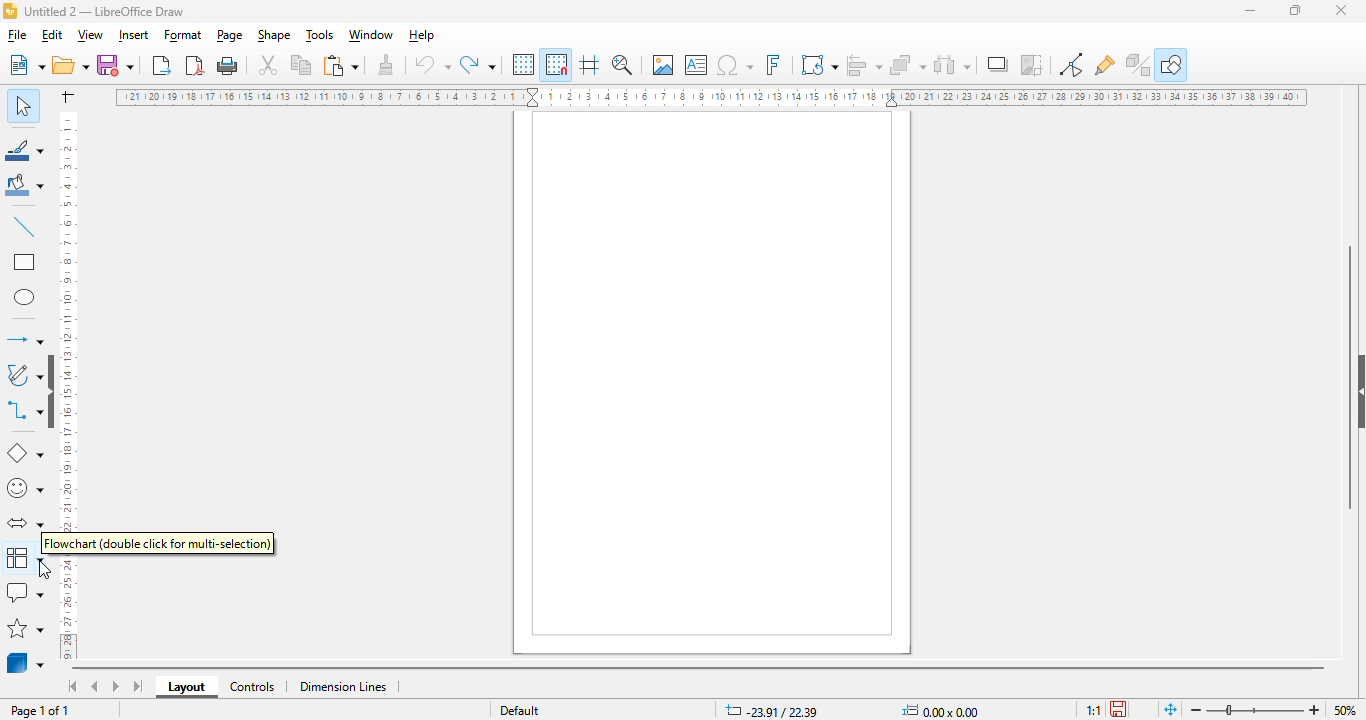  Describe the element at coordinates (908, 64) in the screenshot. I see `arrange` at that location.